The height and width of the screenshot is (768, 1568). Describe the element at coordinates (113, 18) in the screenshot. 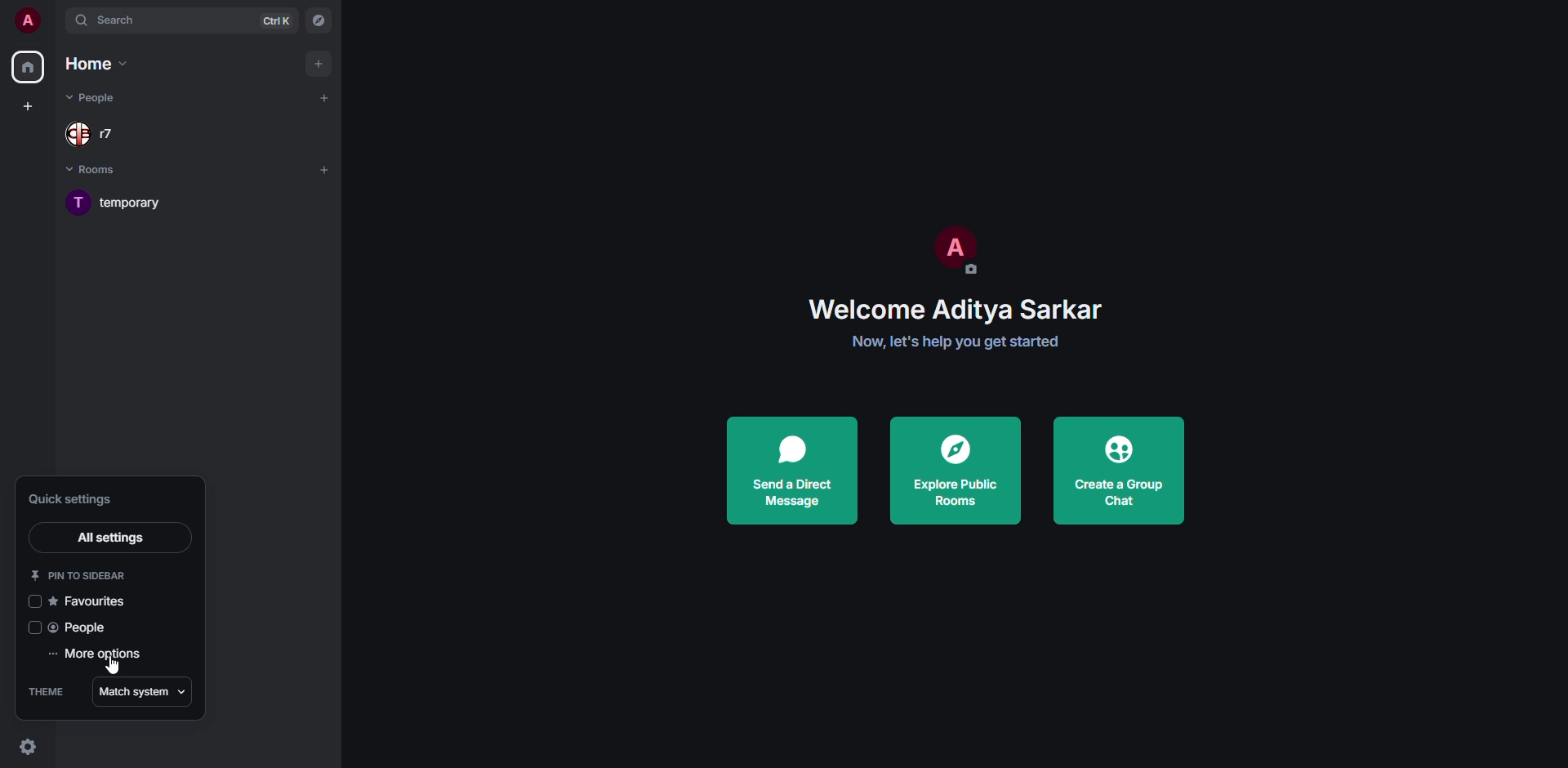

I see `search` at that location.